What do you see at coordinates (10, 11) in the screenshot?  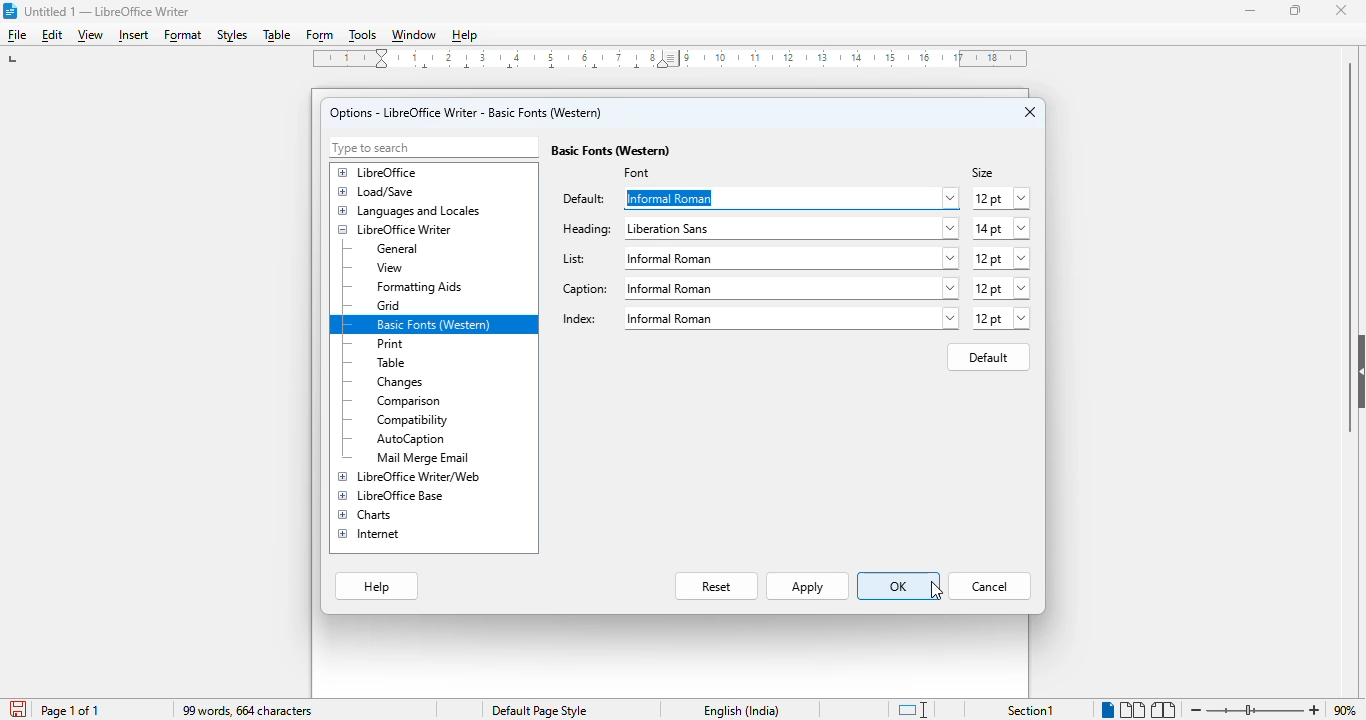 I see `logo` at bounding box center [10, 11].